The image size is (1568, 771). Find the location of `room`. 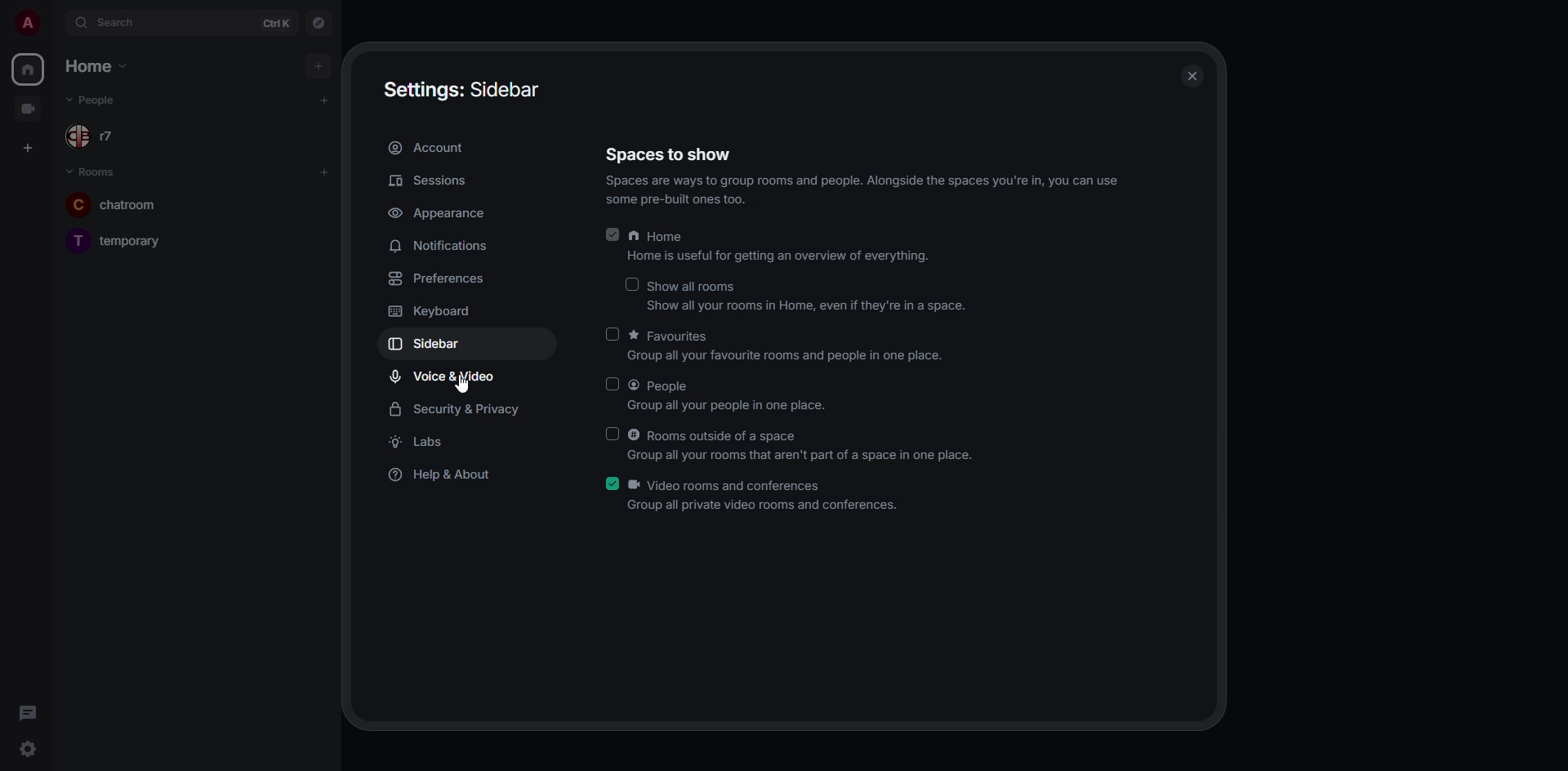

room is located at coordinates (120, 241).